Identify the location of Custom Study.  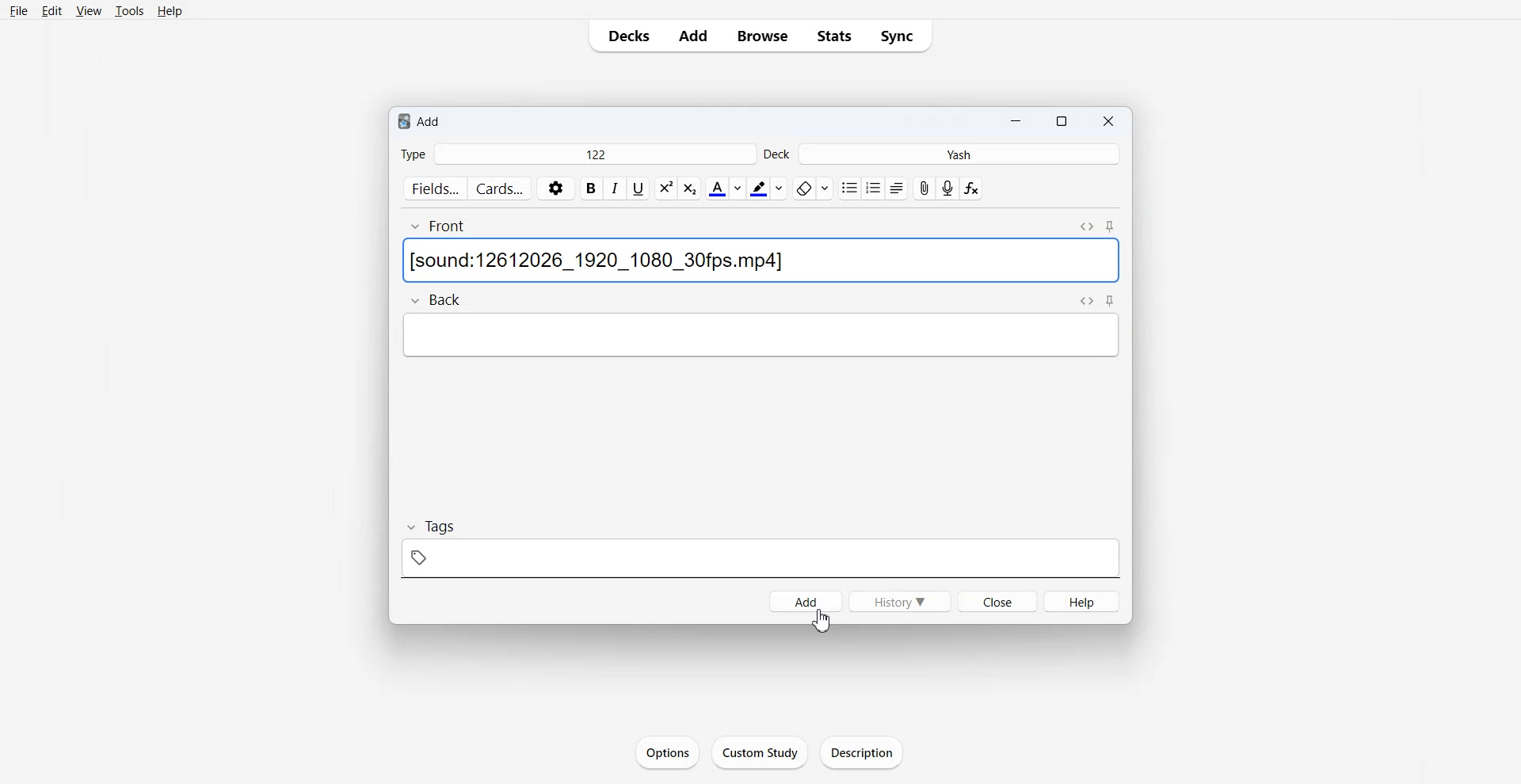
(760, 752).